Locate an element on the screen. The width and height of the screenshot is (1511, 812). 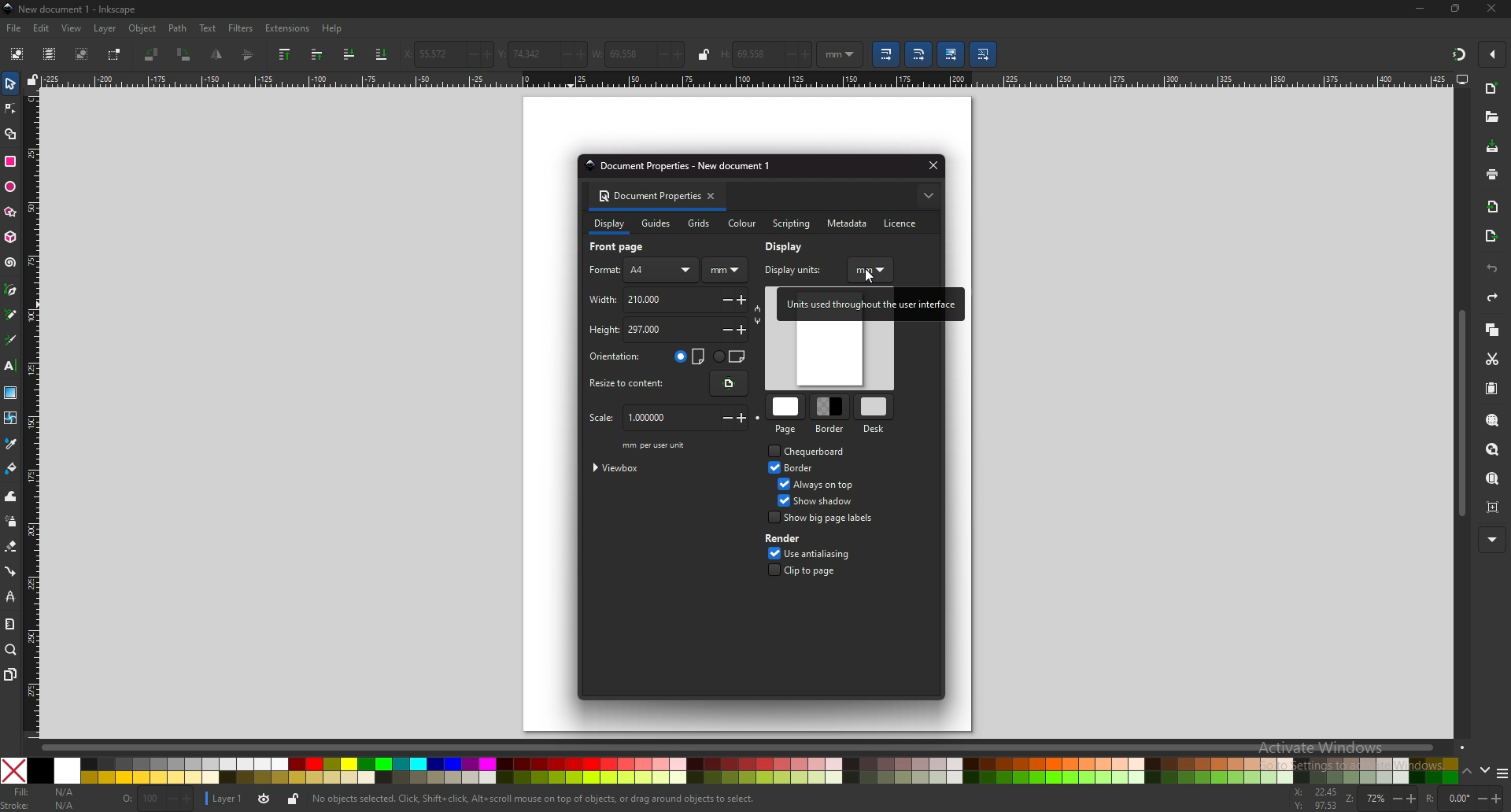
Checkbox is located at coordinates (772, 518).